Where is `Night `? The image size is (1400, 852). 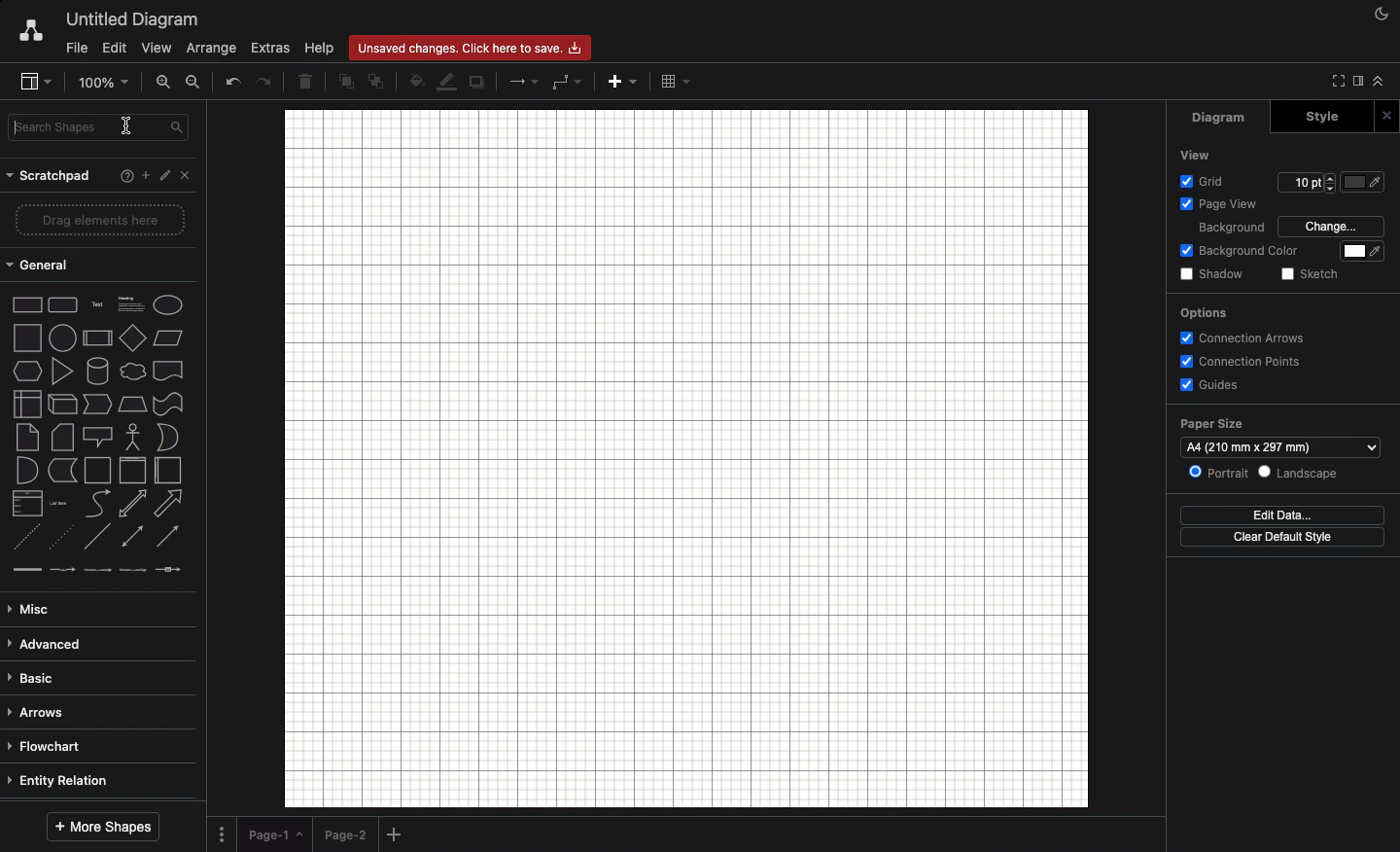 Night  is located at coordinates (1382, 13).